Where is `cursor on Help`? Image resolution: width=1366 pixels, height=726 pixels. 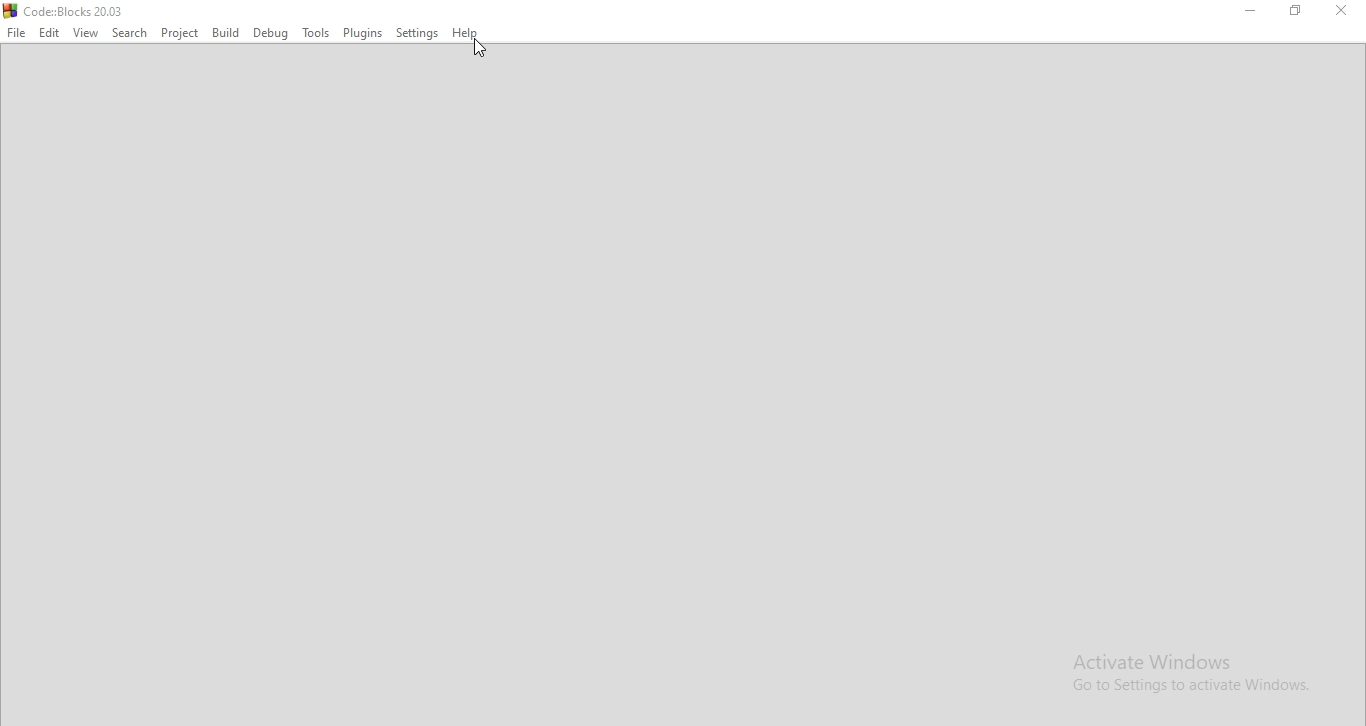
cursor on Help is located at coordinates (480, 49).